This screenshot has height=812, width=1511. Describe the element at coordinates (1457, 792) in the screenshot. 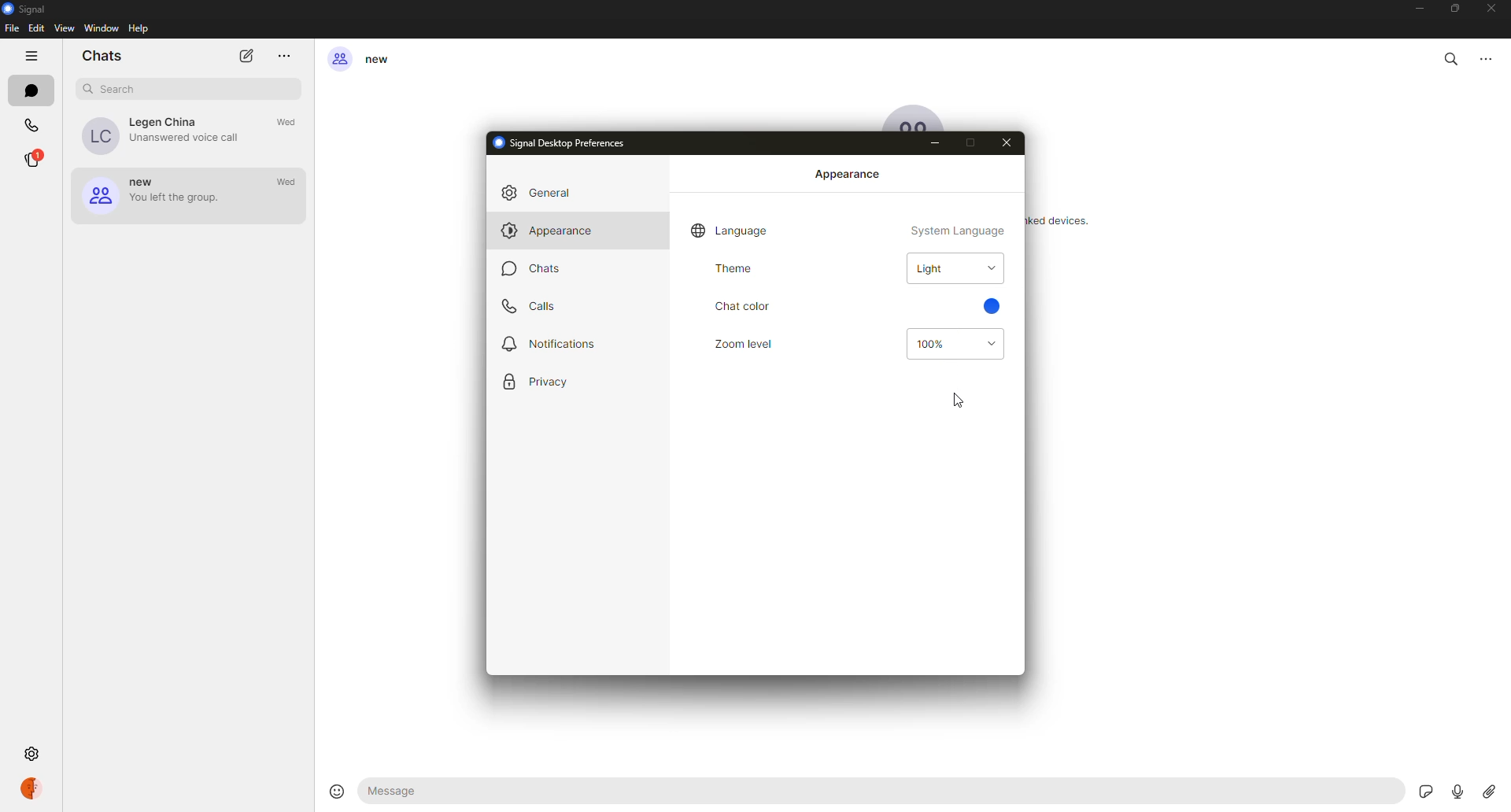

I see `record` at that location.